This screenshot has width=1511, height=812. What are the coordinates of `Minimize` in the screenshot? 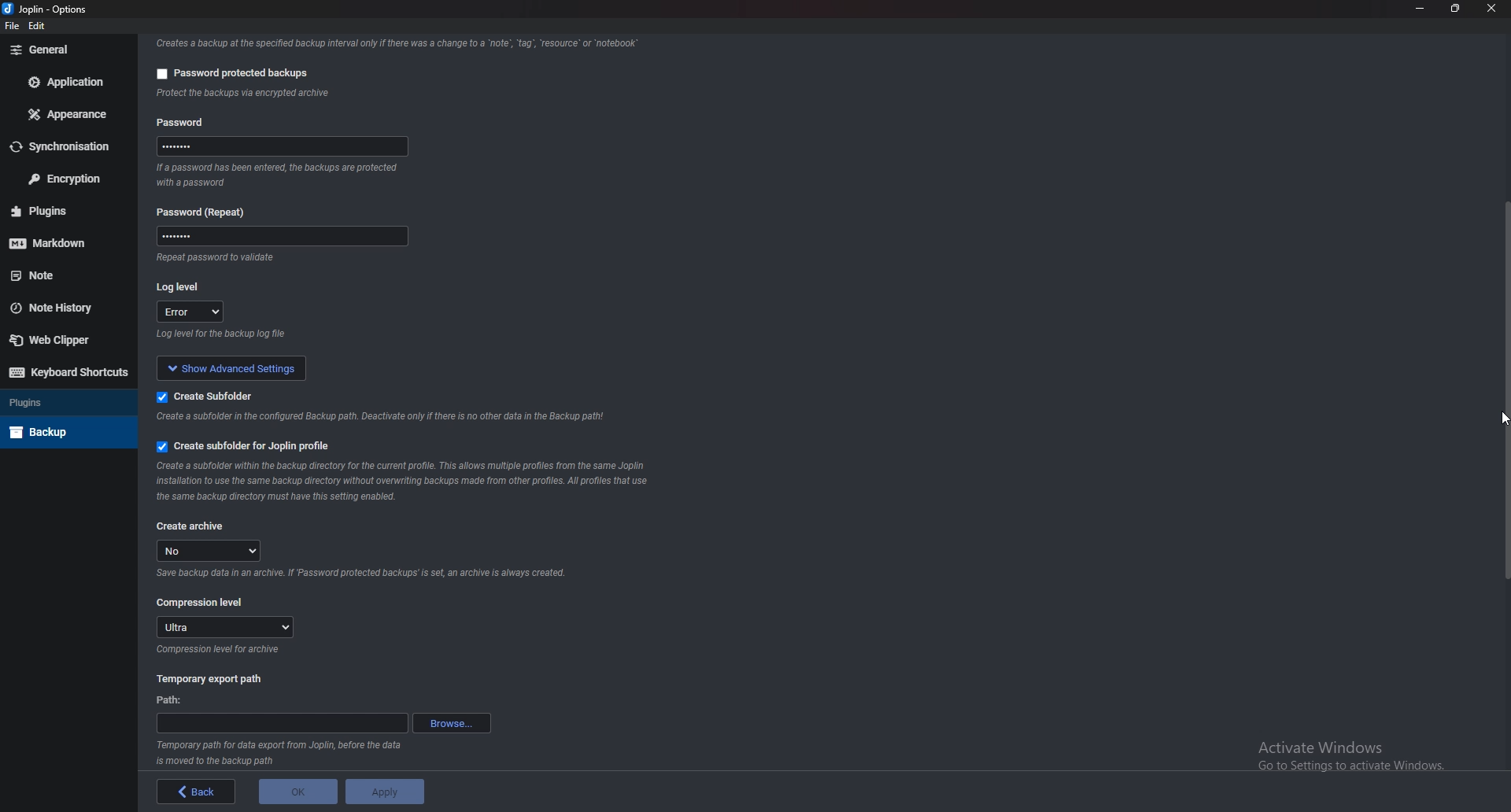 It's located at (1422, 9).